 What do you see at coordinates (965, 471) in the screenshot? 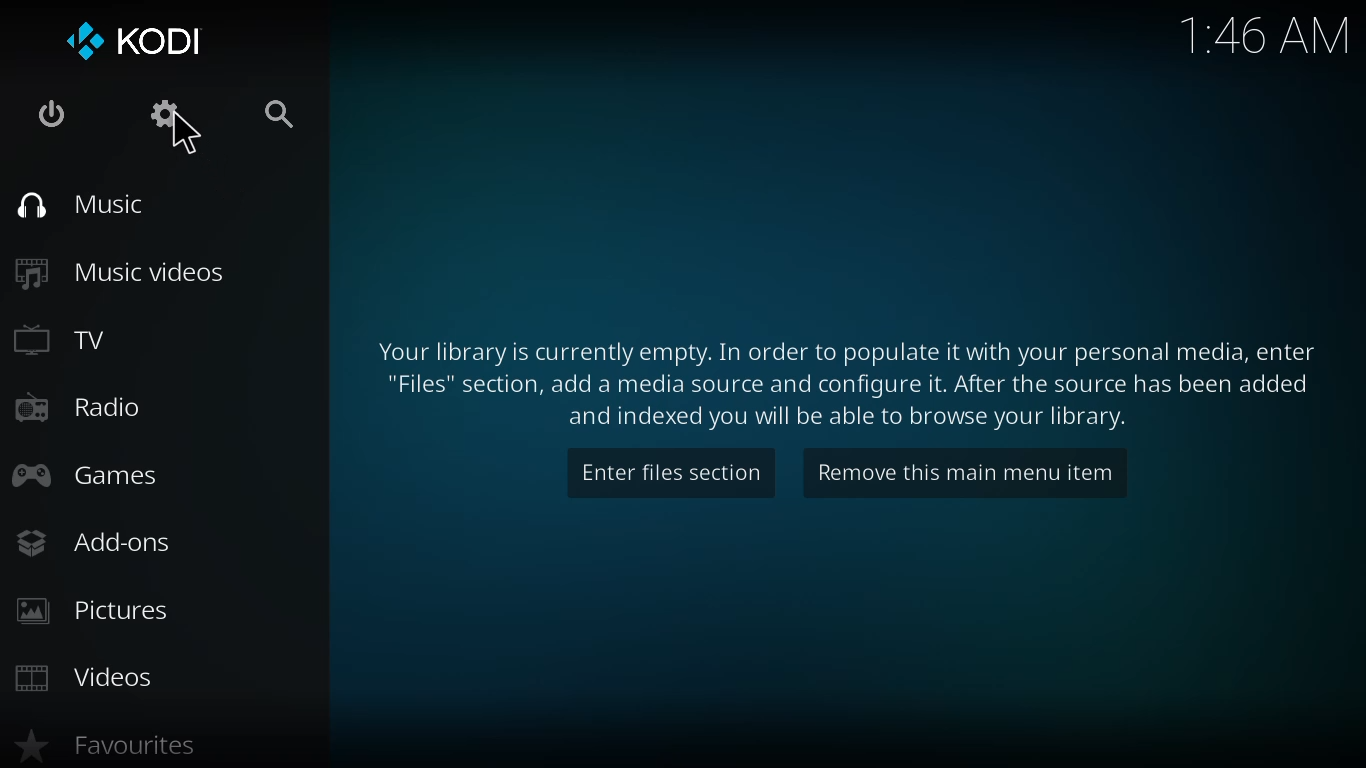
I see `remove this main menu item` at bounding box center [965, 471].